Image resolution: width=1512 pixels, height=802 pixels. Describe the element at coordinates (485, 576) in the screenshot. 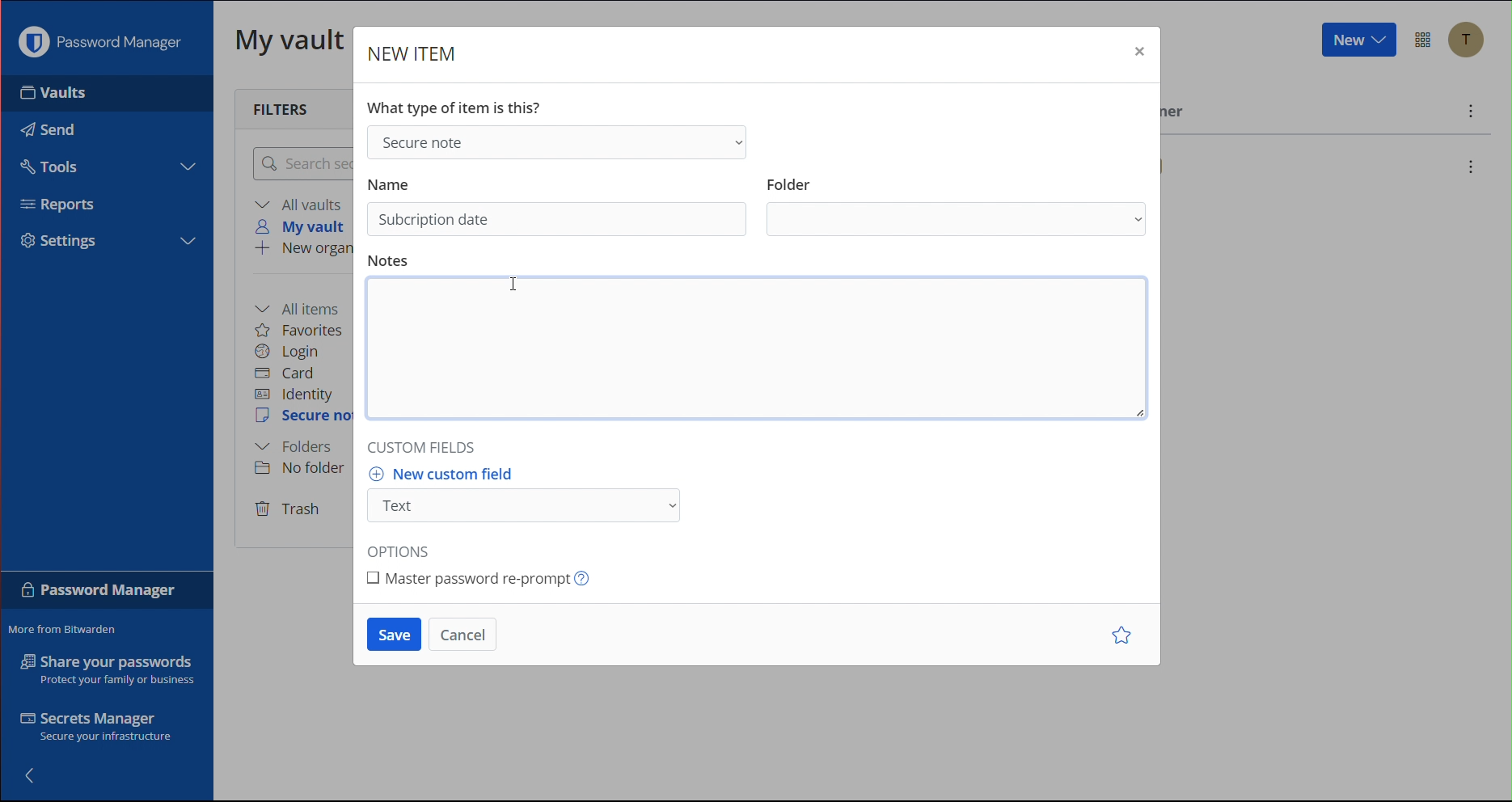

I see `Master password prompt` at that location.